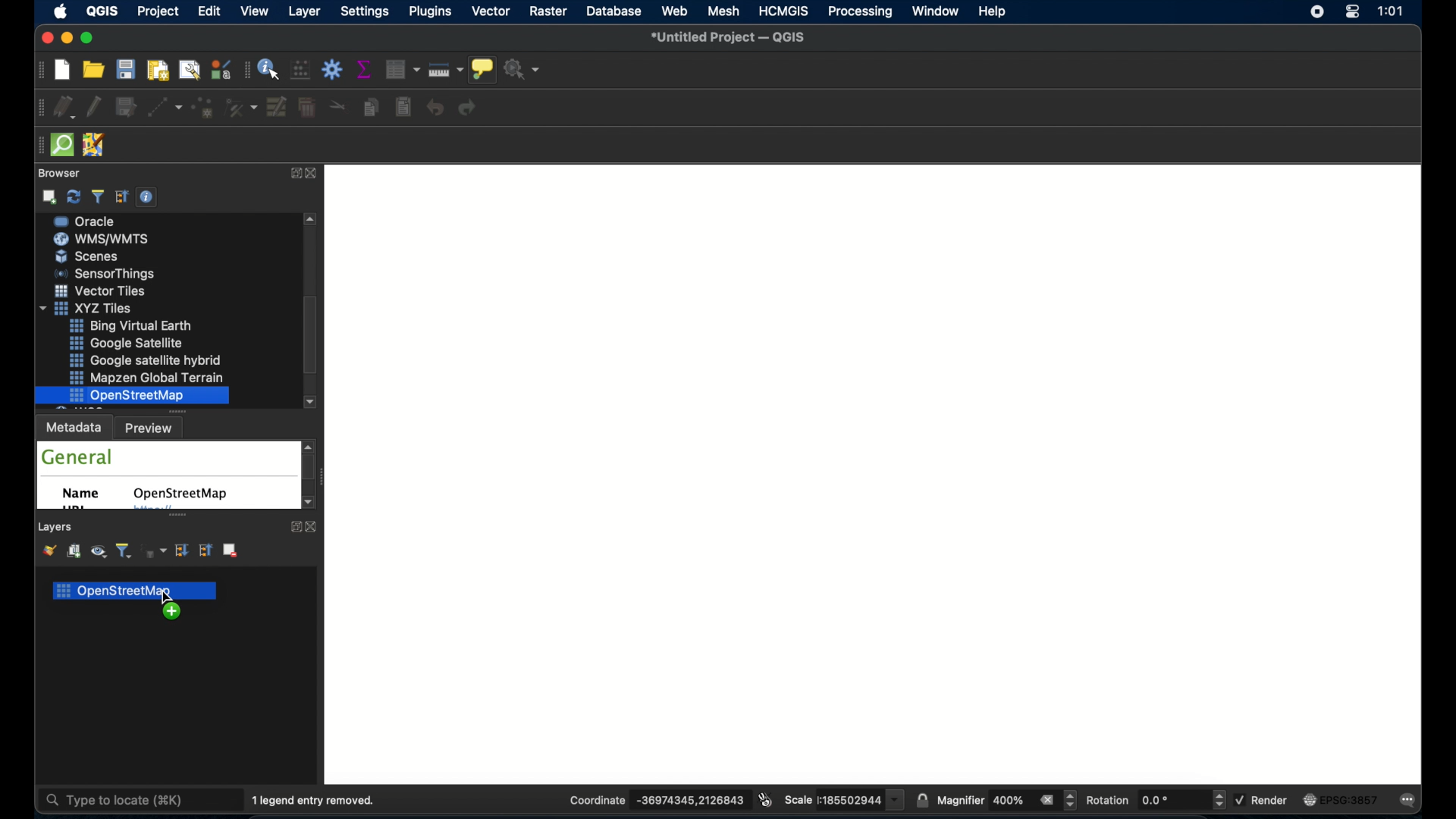 The image size is (1456, 819). What do you see at coordinates (187, 71) in the screenshot?
I see `show layout manager` at bounding box center [187, 71].